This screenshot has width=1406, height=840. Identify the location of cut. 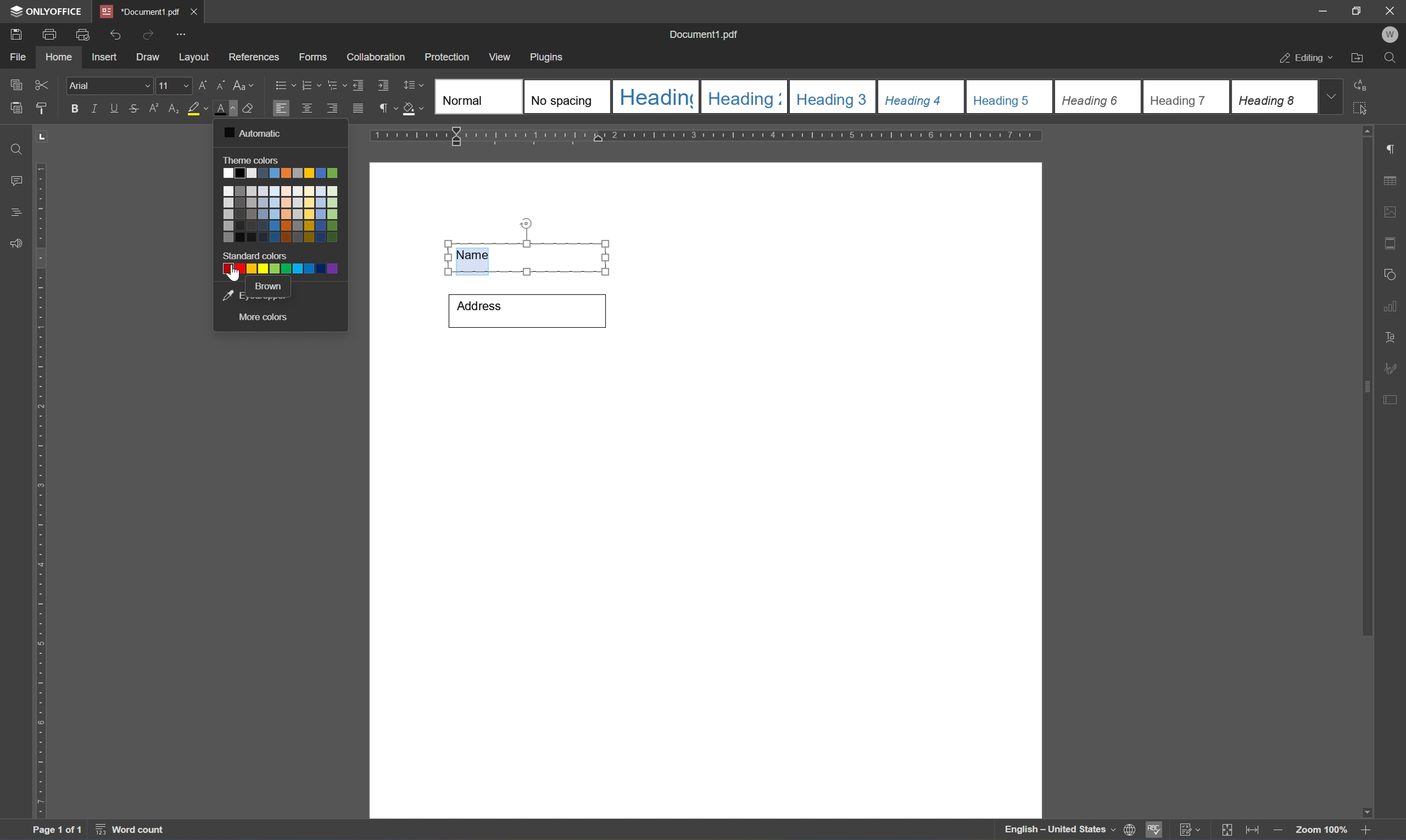
(45, 84).